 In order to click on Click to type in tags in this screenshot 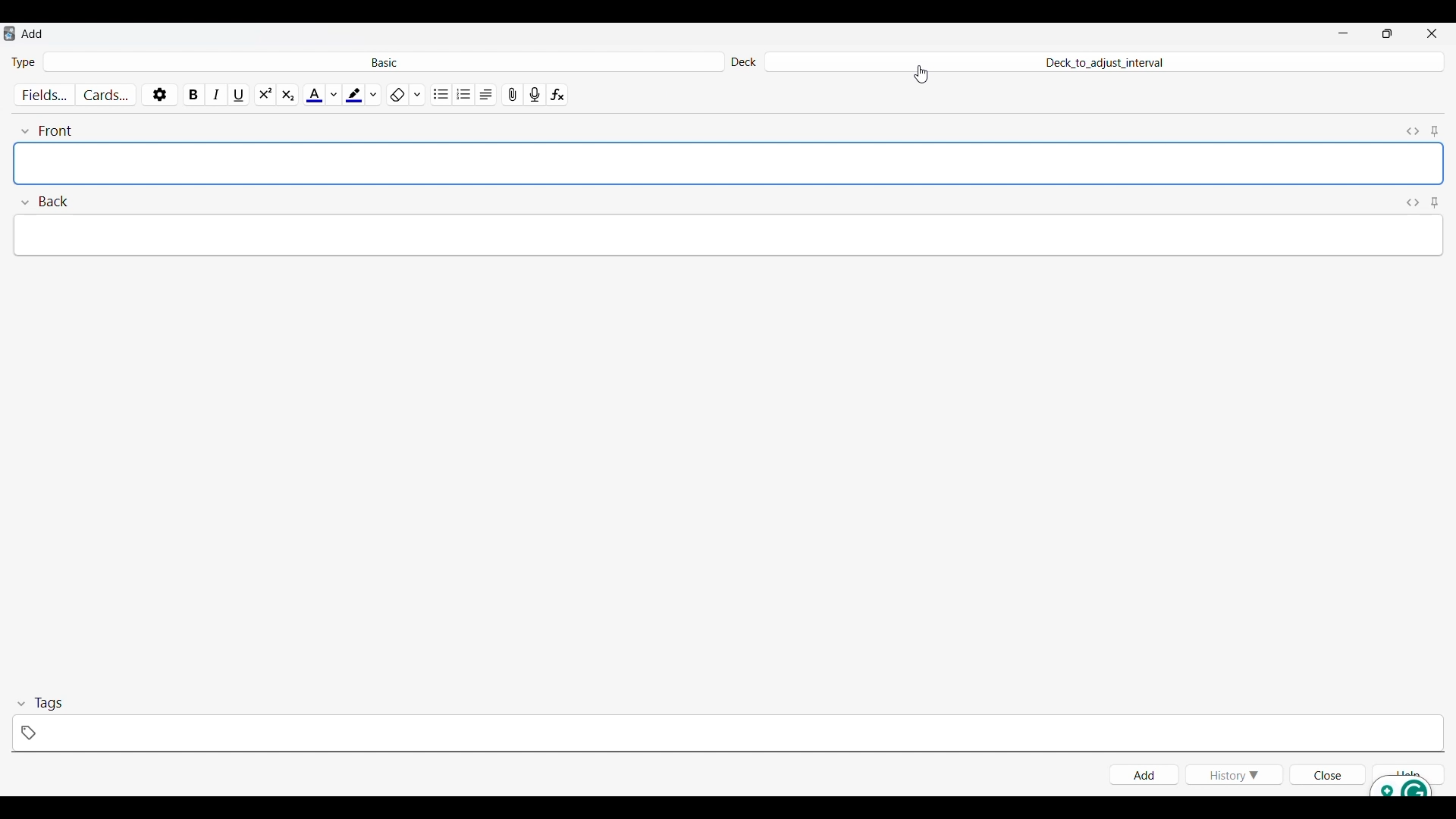, I will do `click(727, 733)`.